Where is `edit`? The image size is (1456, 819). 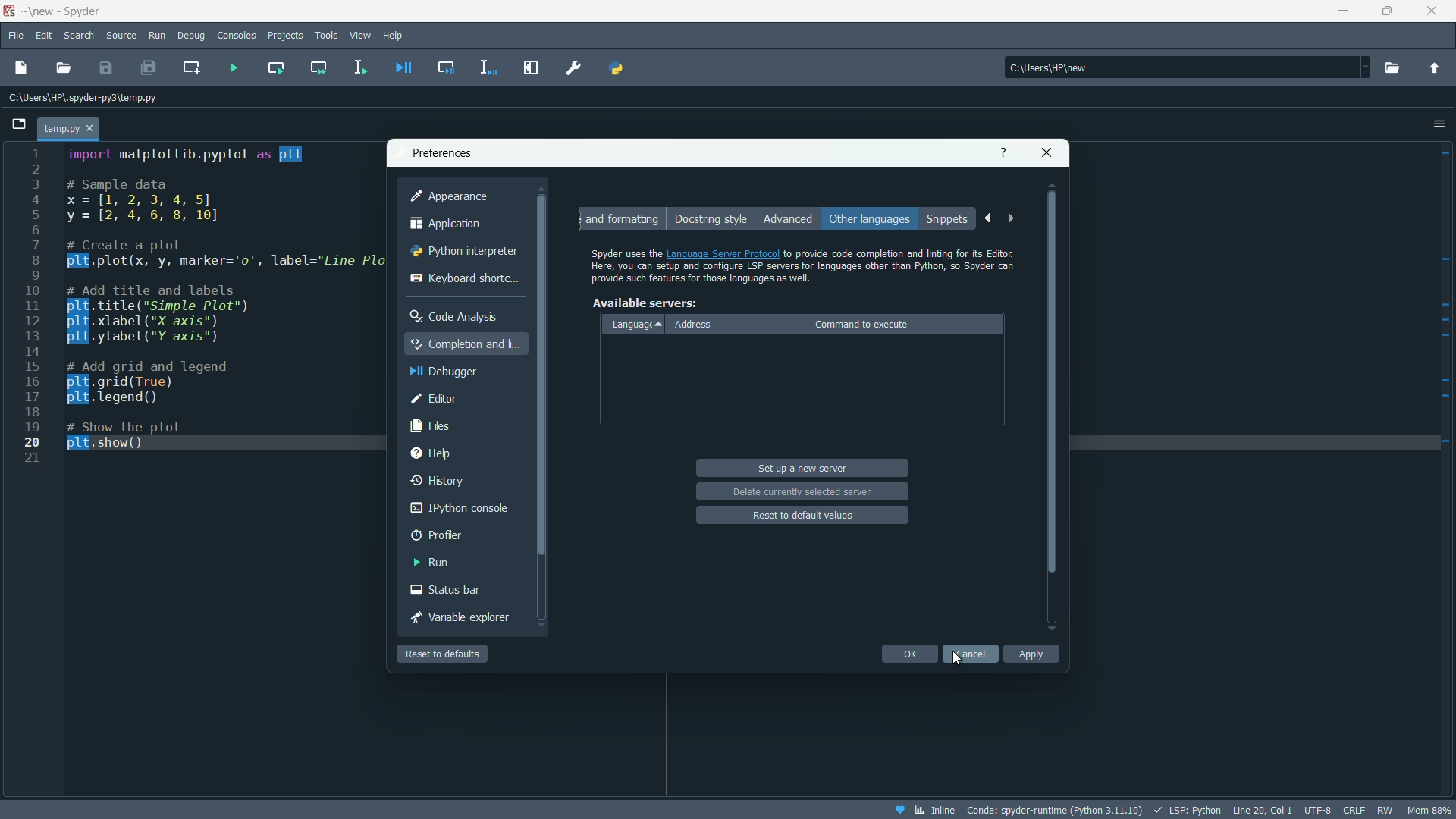 edit is located at coordinates (44, 36).